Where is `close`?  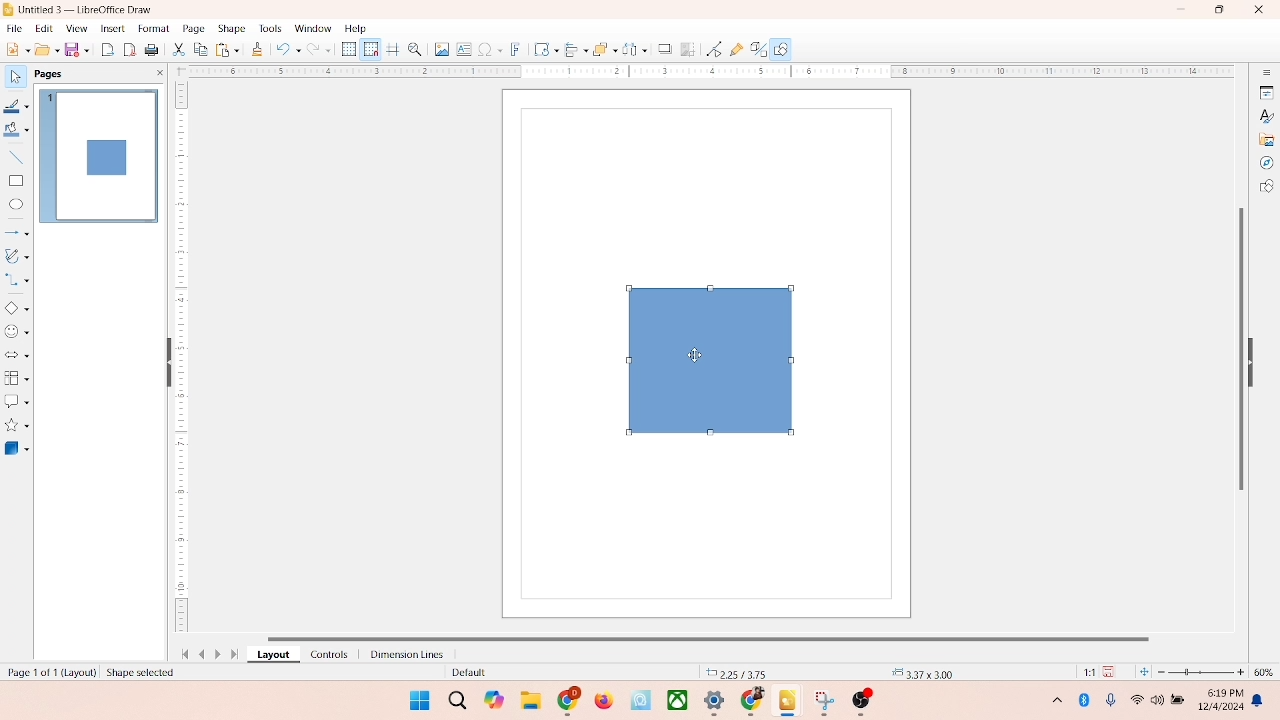 close is located at coordinates (156, 73).